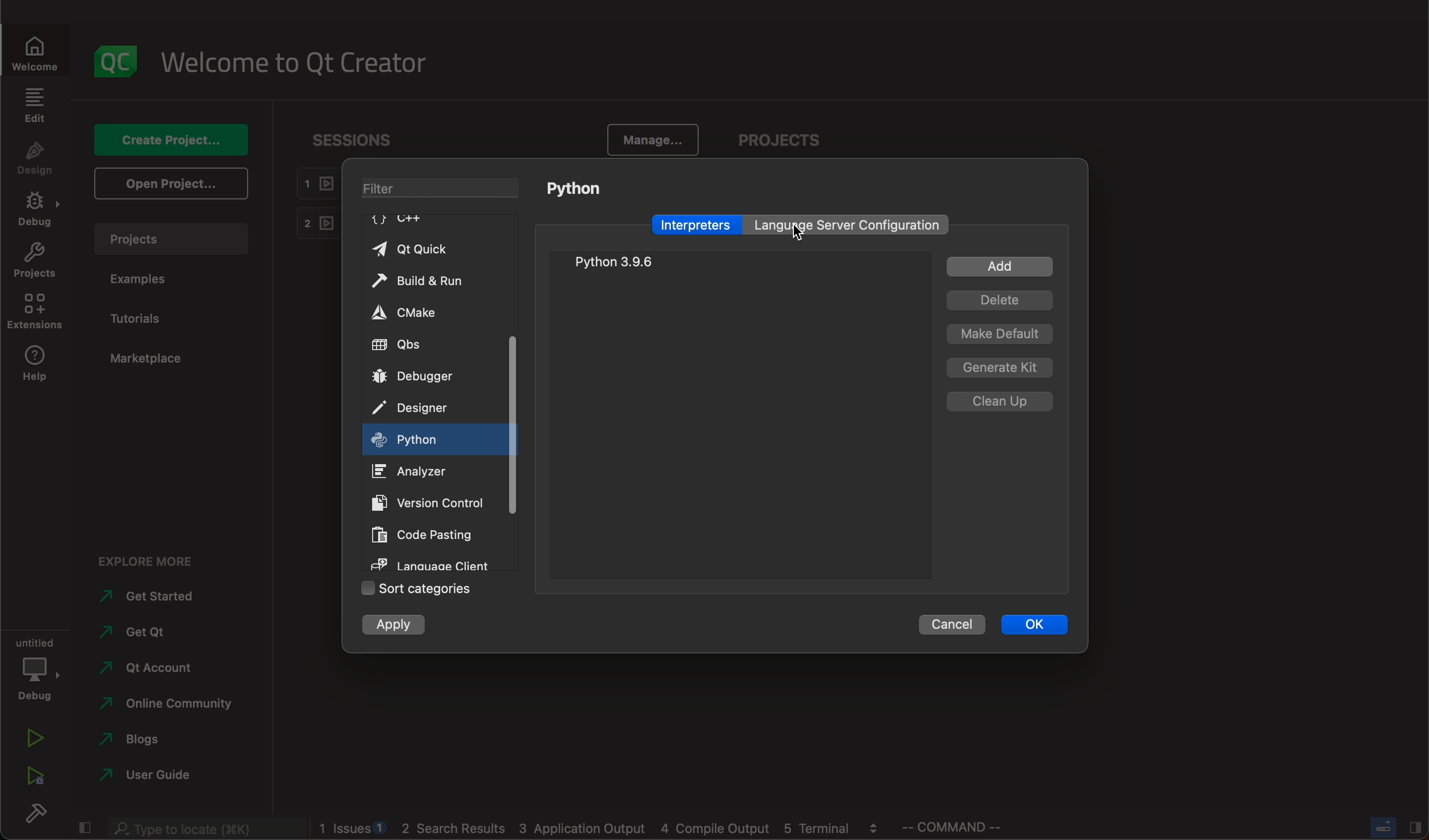 This screenshot has height=840, width=1429. What do you see at coordinates (999, 300) in the screenshot?
I see `delete` at bounding box center [999, 300].